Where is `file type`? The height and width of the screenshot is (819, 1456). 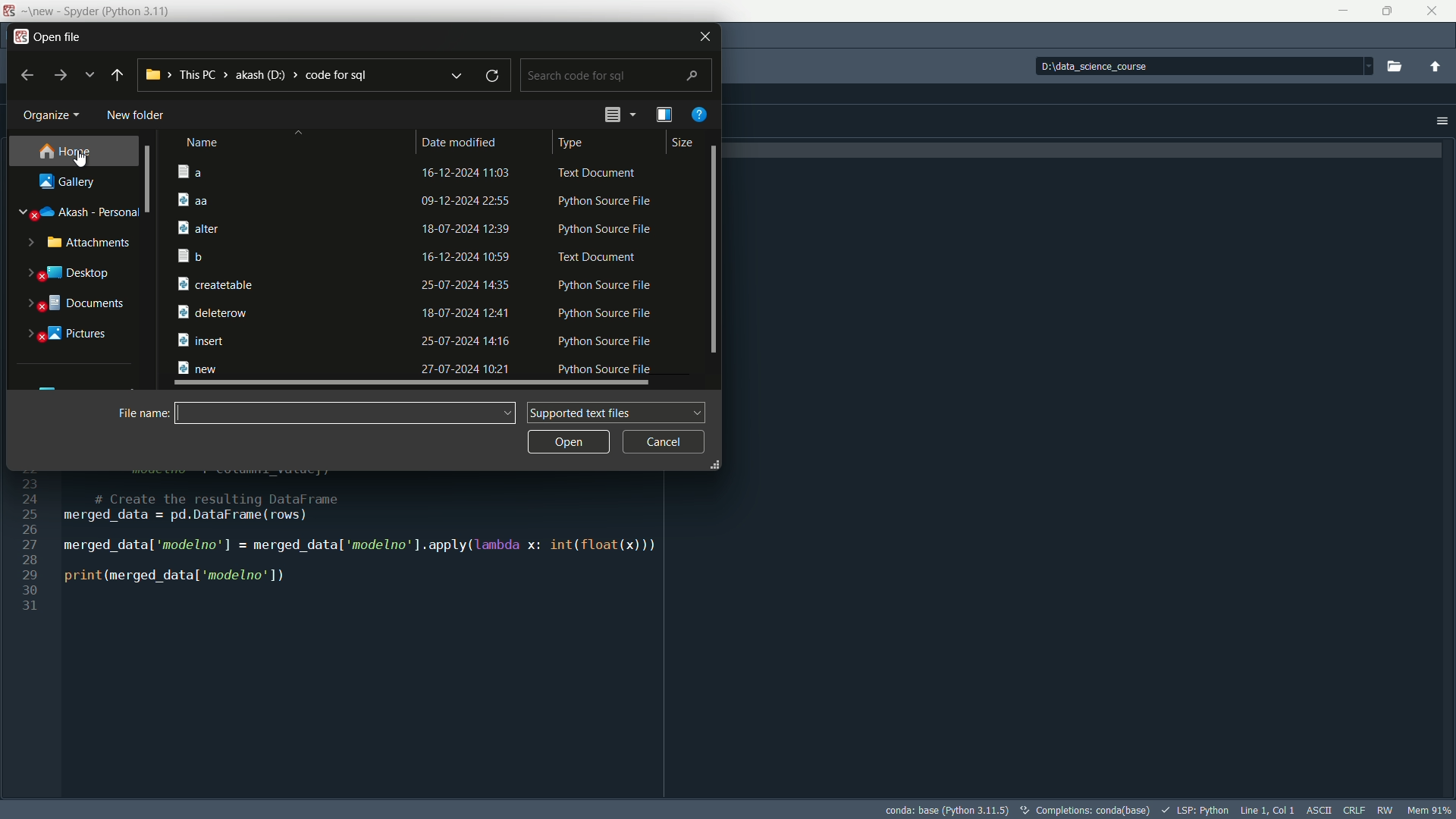 file type is located at coordinates (603, 259).